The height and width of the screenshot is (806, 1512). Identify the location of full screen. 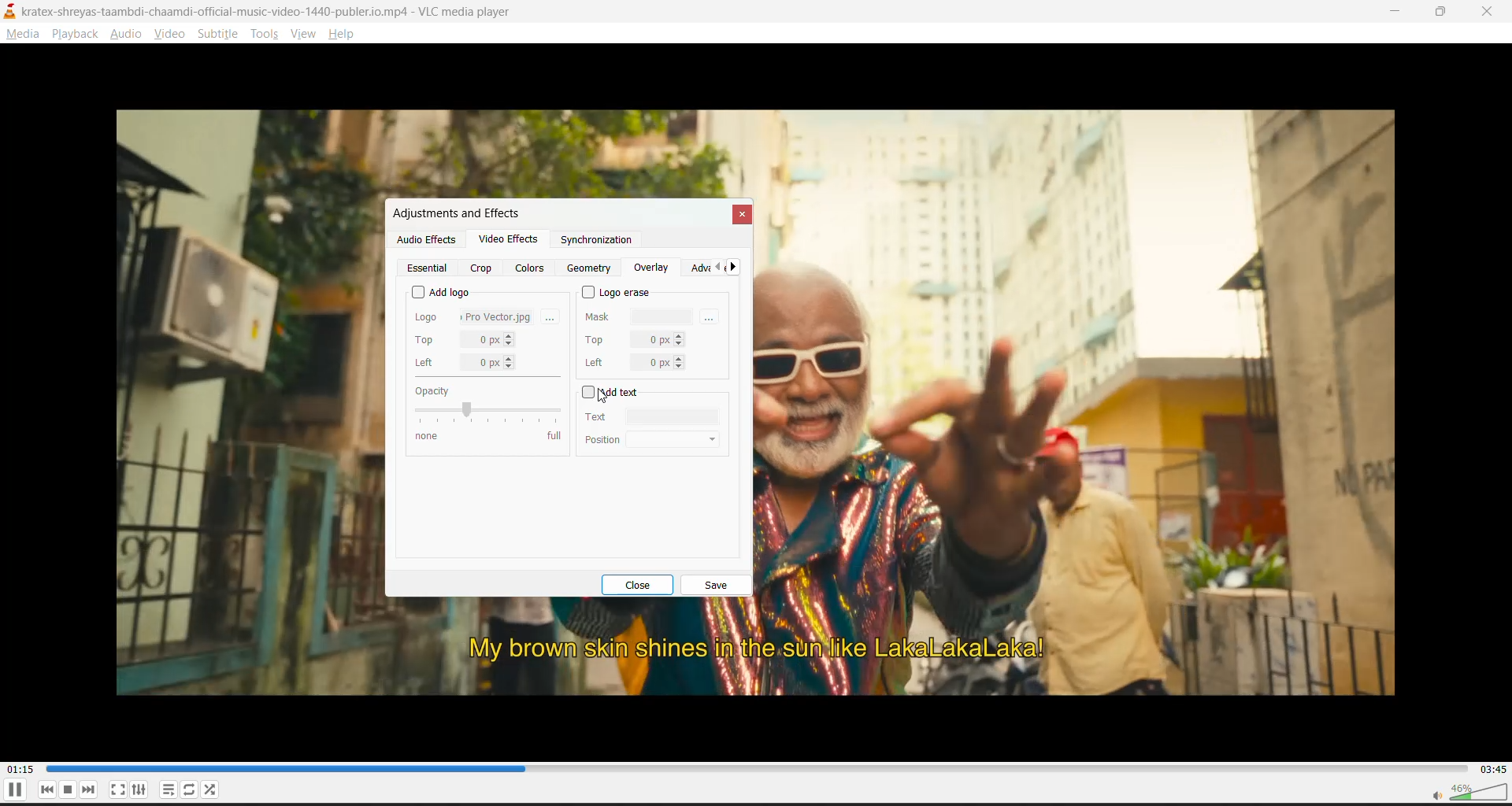
(117, 789).